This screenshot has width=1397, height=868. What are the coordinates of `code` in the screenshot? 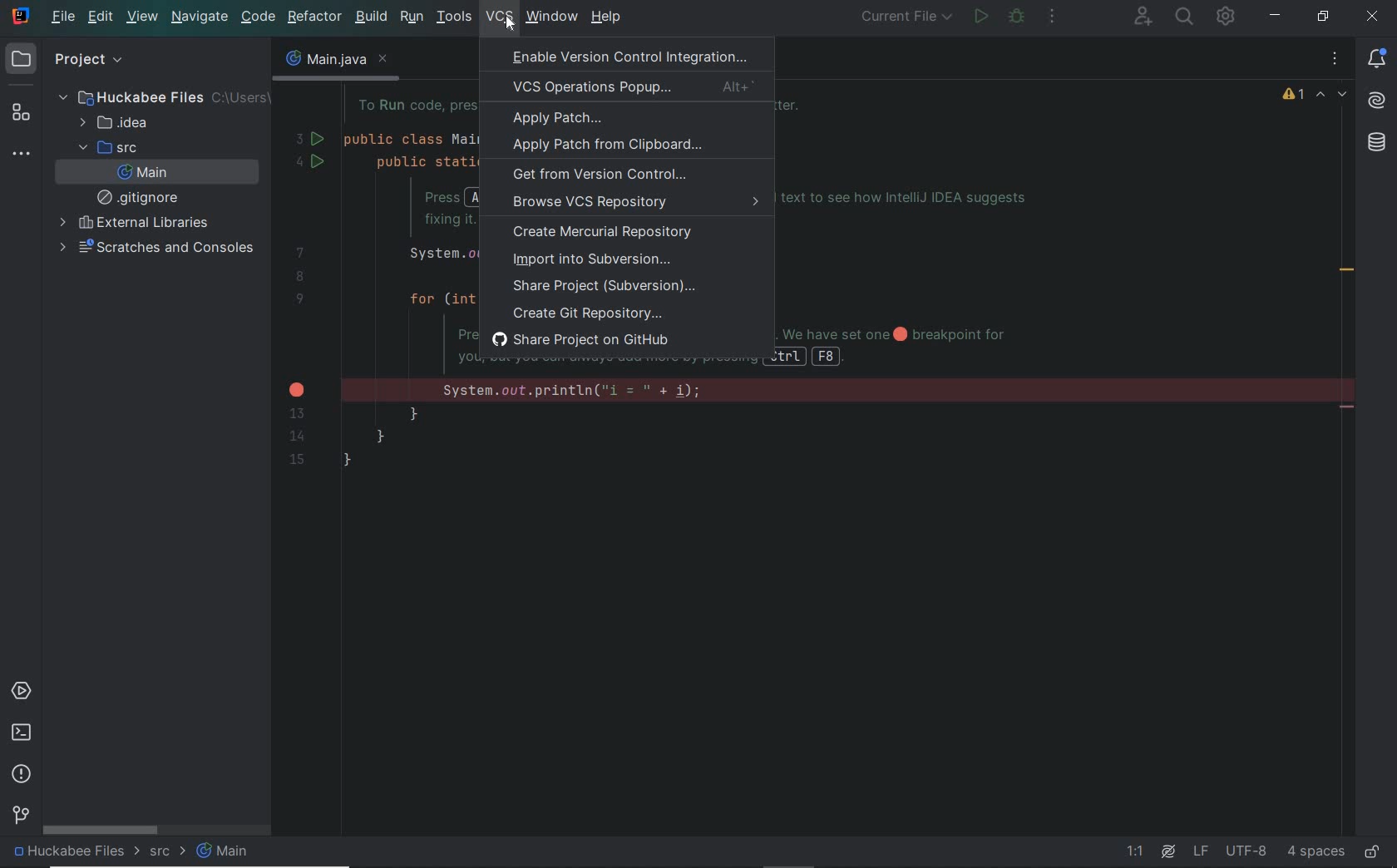 It's located at (259, 18).